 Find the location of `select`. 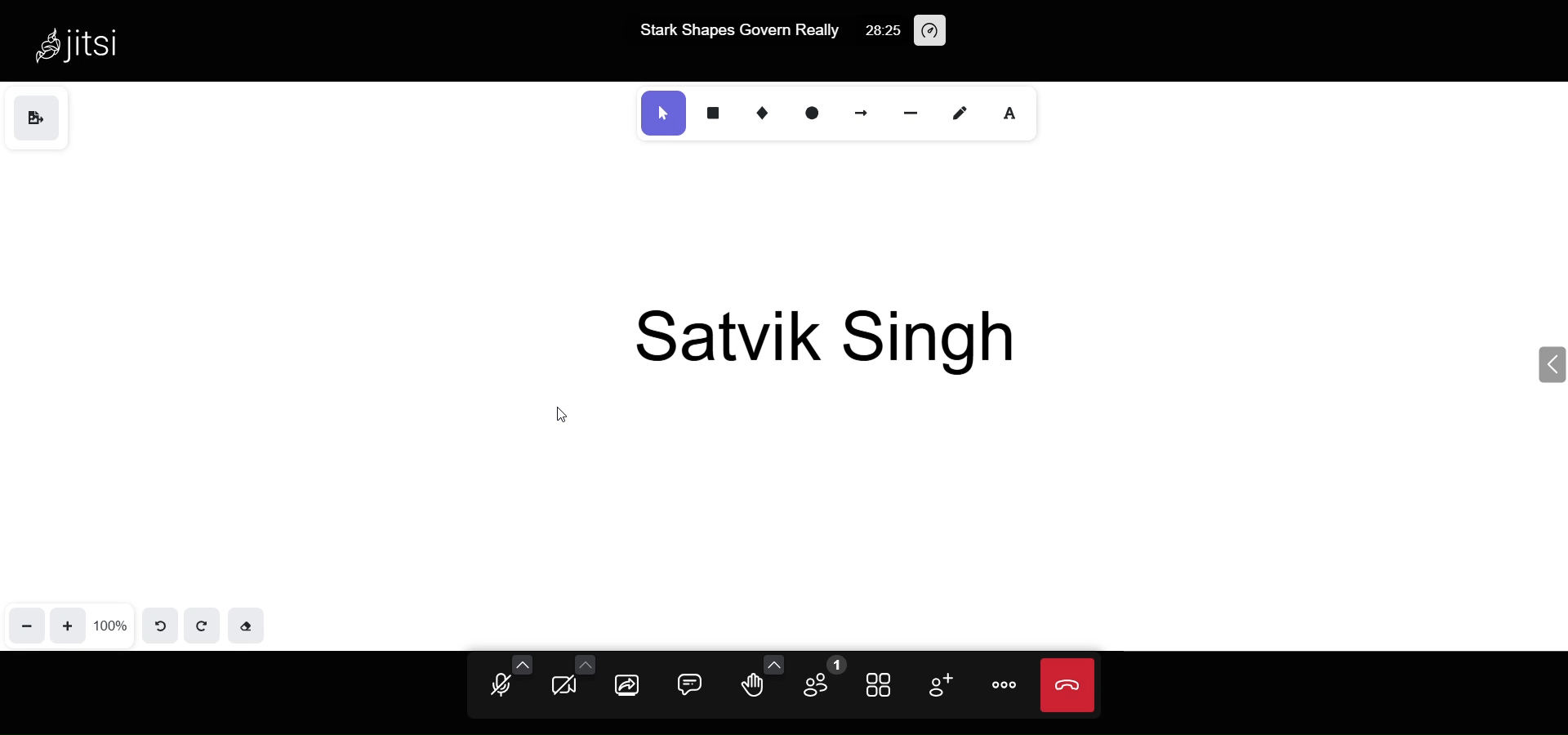

select is located at coordinates (661, 113).